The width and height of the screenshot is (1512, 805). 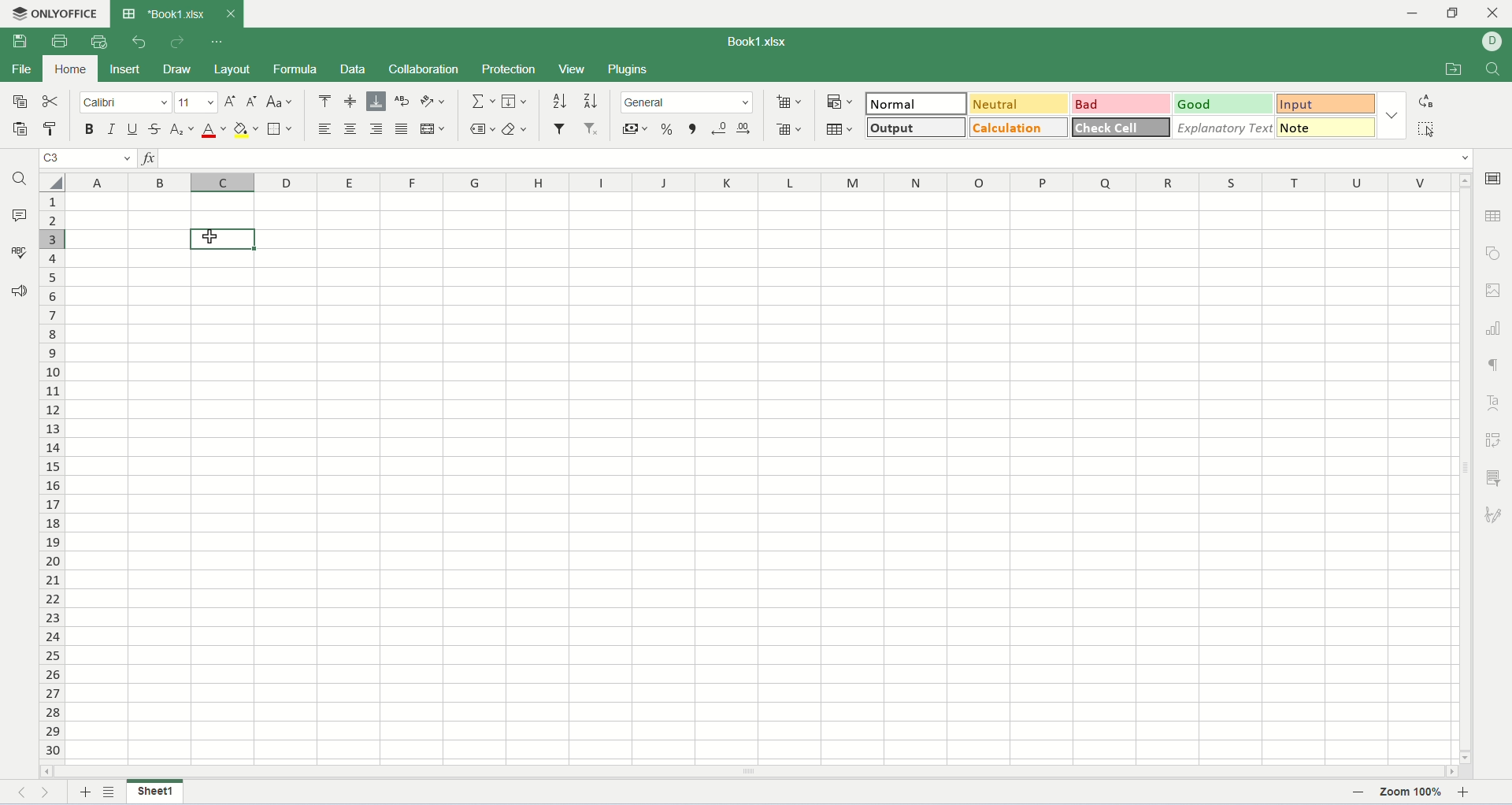 I want to click on orientation, so click(x=435, y=100).